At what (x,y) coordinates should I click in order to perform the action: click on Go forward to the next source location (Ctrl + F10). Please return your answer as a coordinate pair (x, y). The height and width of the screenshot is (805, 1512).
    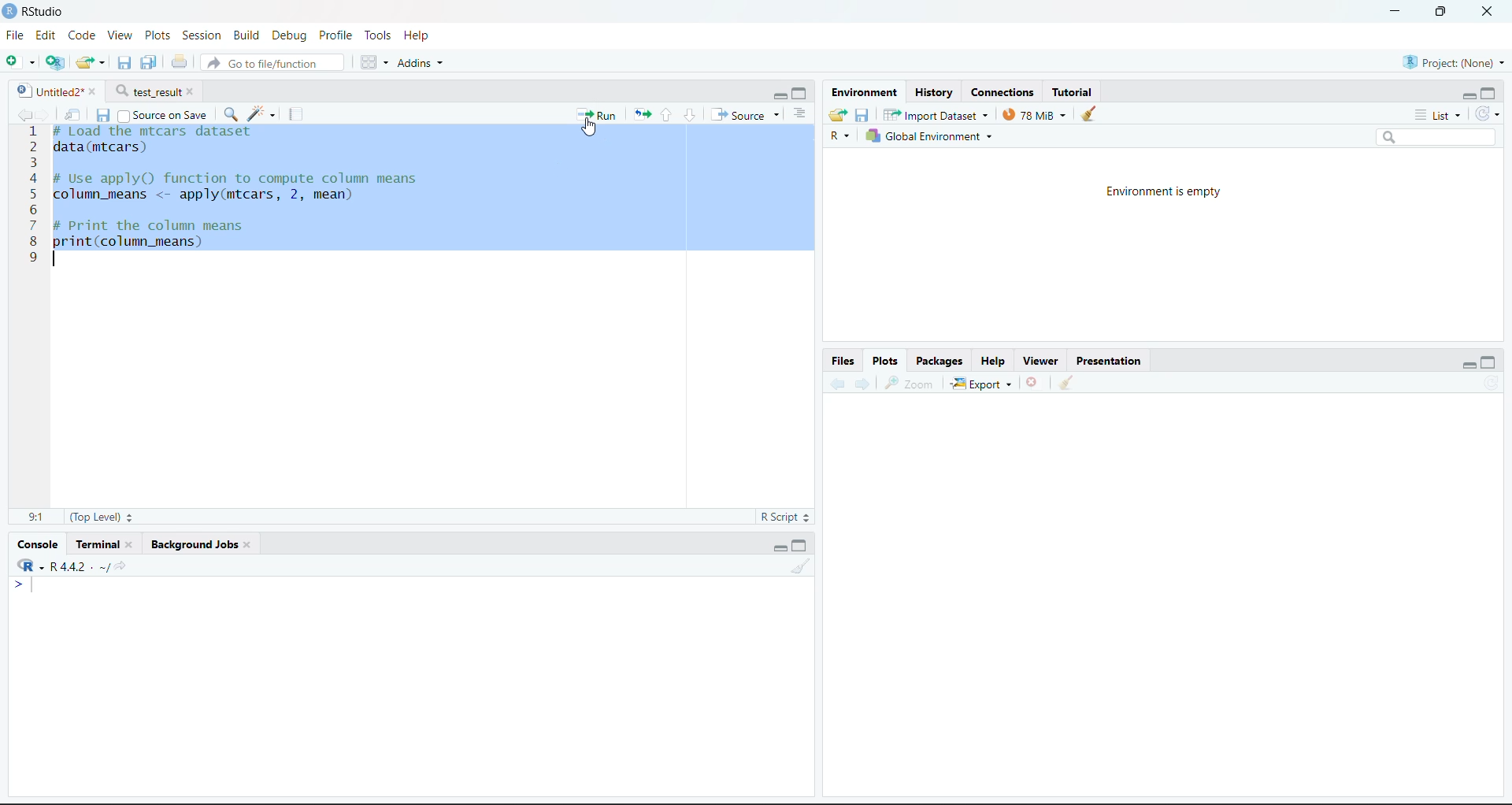
    Looking at the image, I should click on (865, 384).